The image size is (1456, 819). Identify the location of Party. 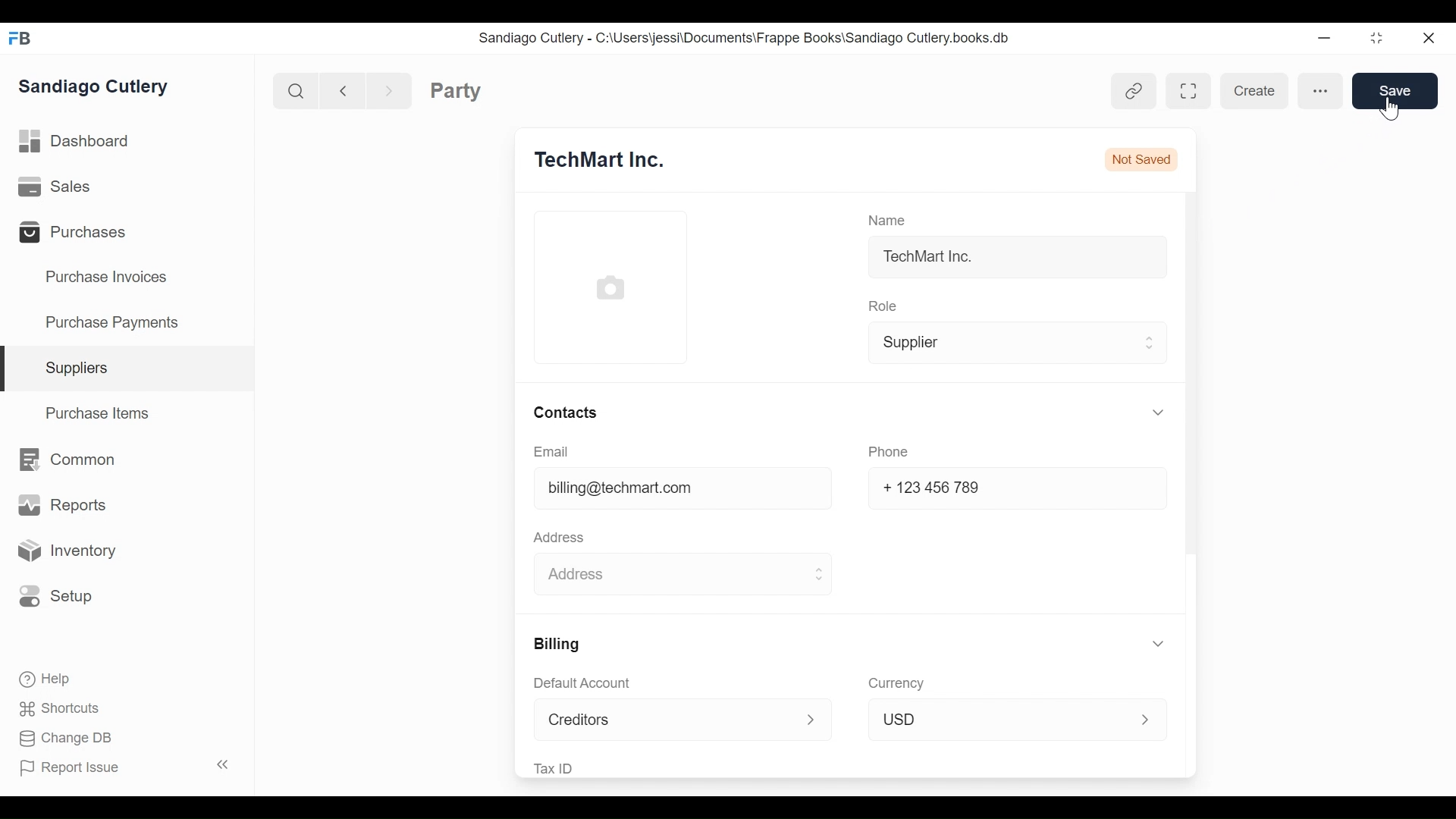
(482, 91).